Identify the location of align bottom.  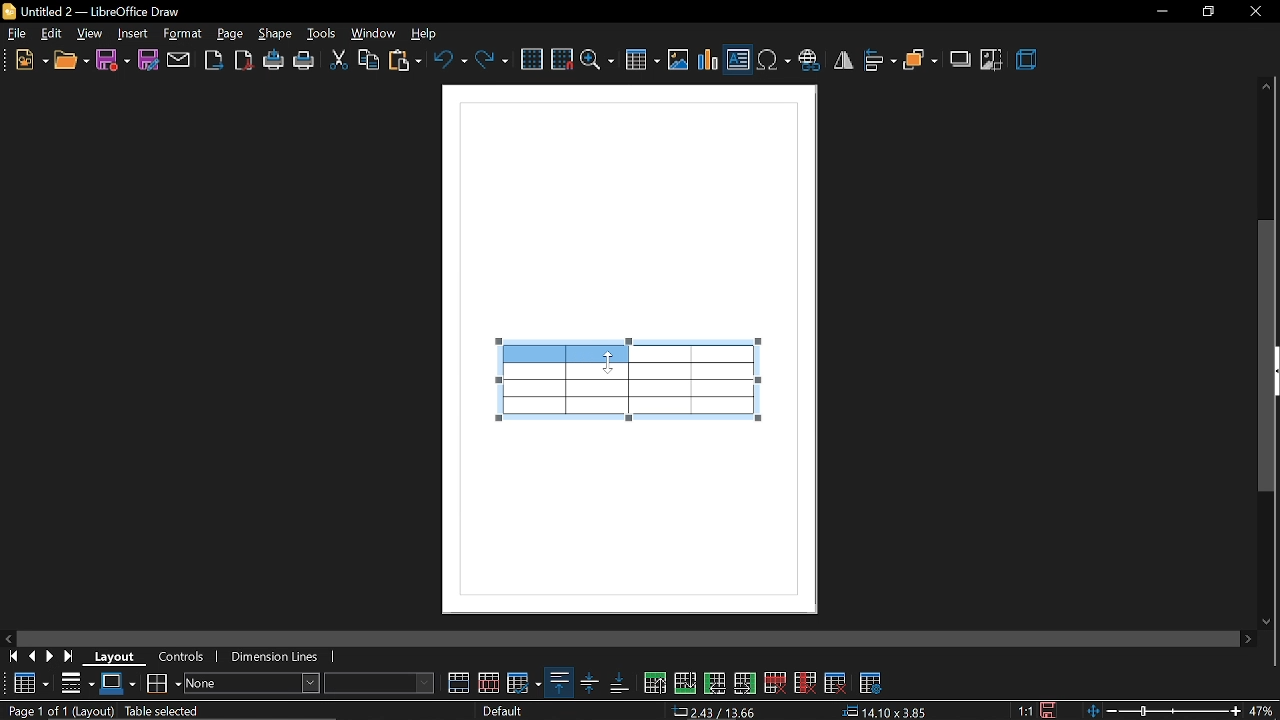
(620, 682).